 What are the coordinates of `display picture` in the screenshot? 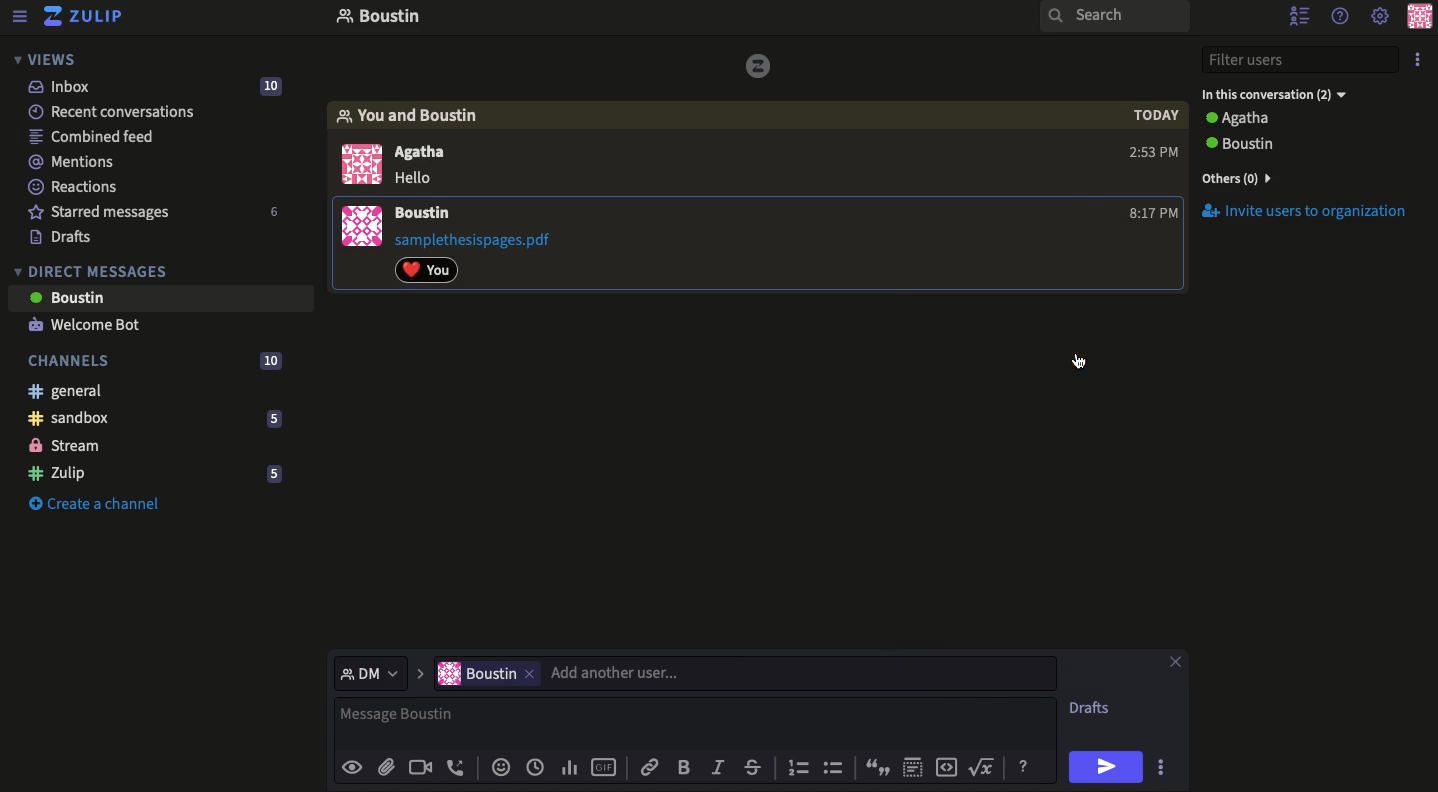 It's located at (361, 163).